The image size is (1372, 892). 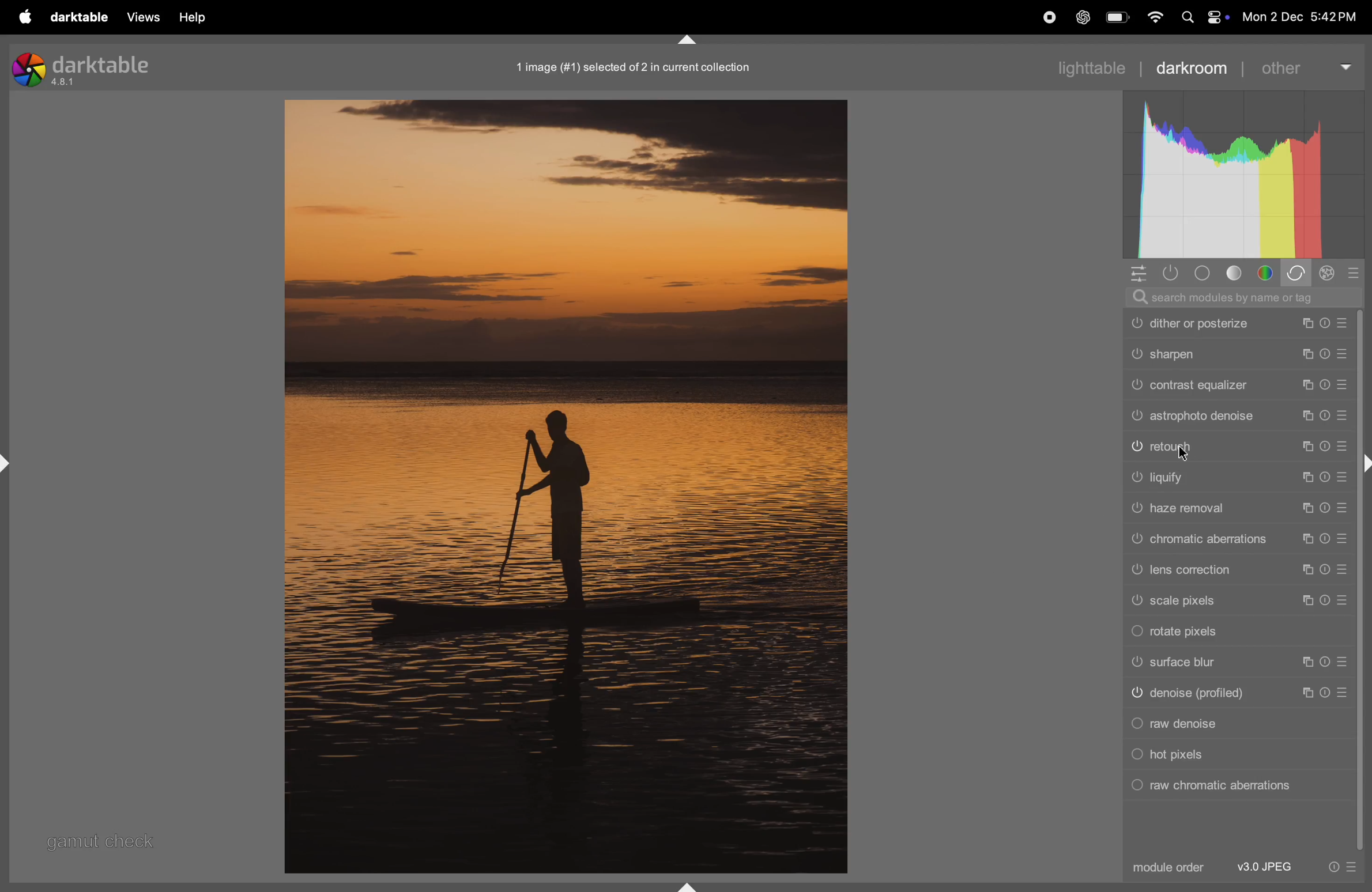 What do you see at coordinates (80, 17) in the screenshot?
I see `darktable` at bounding box center [80, 17].